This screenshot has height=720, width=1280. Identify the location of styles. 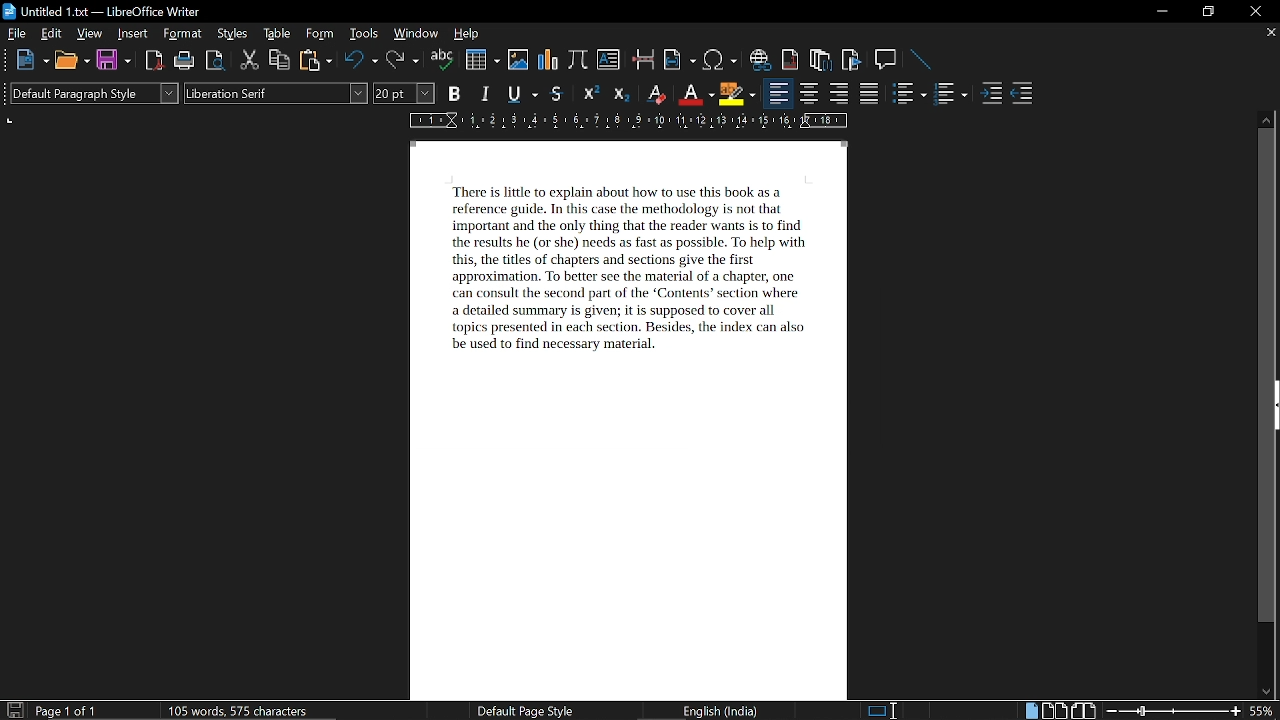
(232, 34).